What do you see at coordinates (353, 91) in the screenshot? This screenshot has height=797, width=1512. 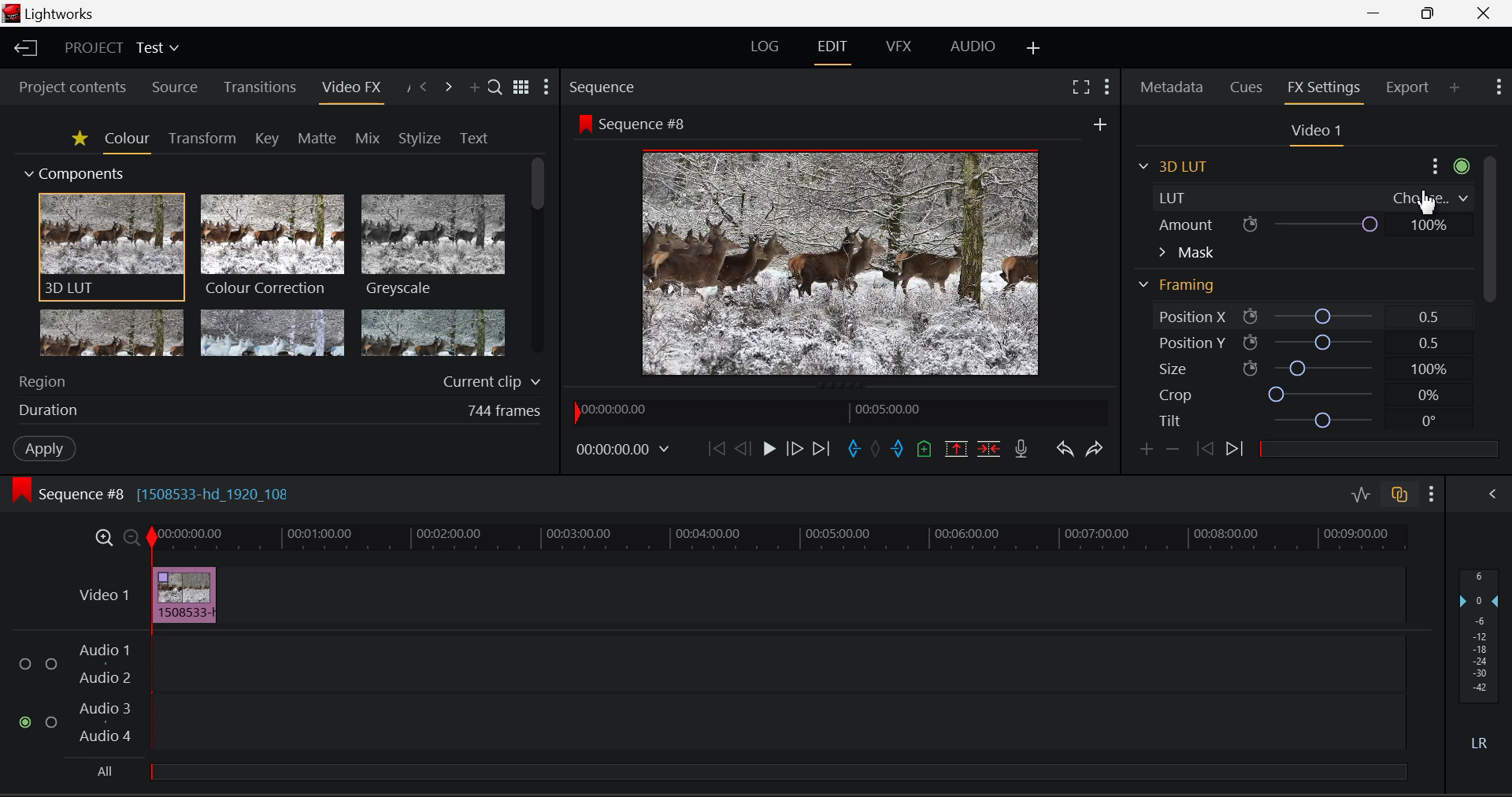 I see `Video FX Panel Open` at bounding box center [353, 91].